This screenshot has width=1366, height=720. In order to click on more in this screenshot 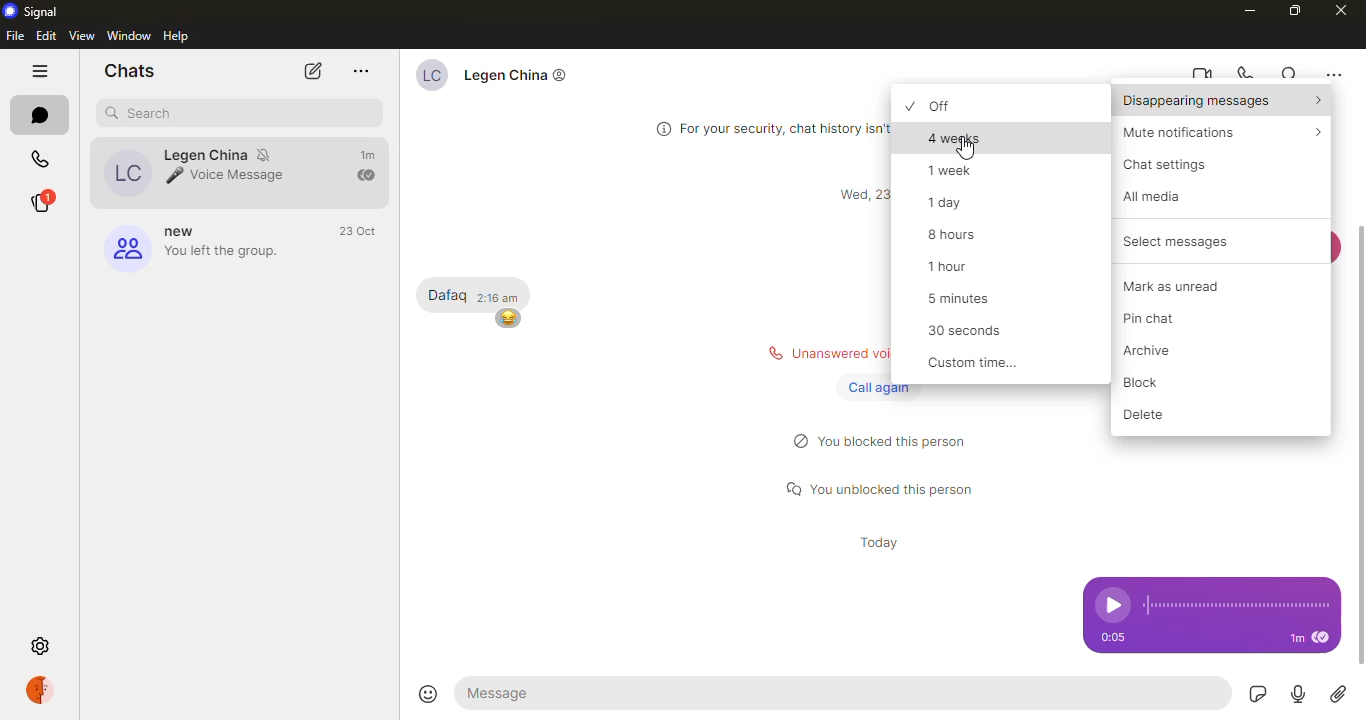, I will do `click(1333, 75)`.